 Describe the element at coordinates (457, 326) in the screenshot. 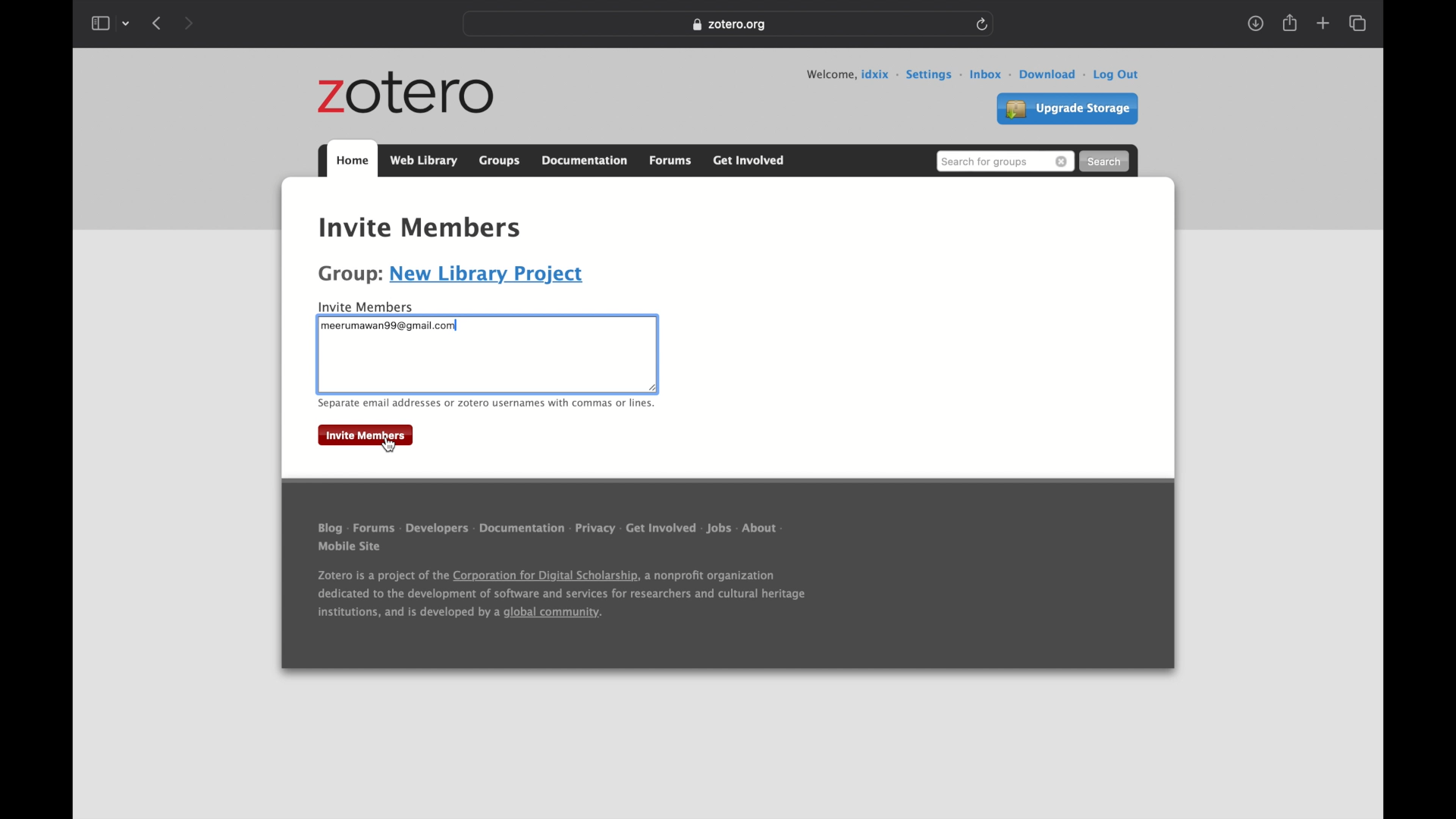

I see `typing pointer` at that location.